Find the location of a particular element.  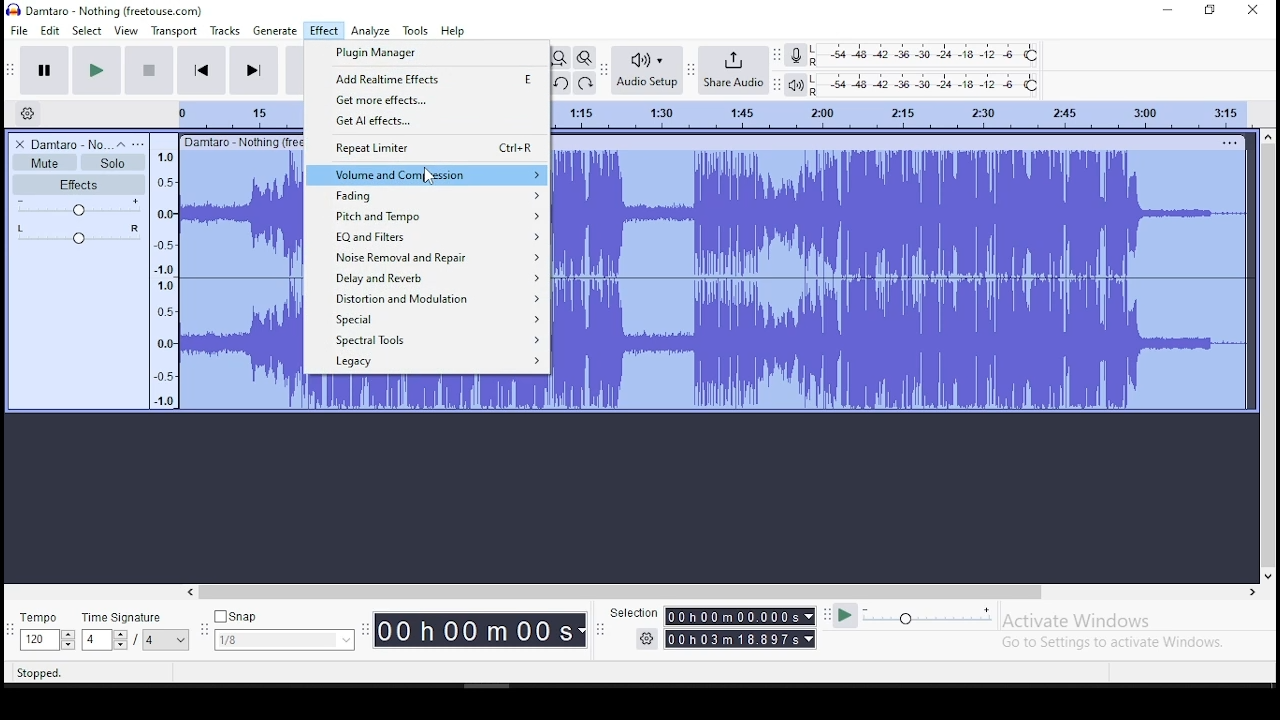

track options is located at coordinates (1228, 142).